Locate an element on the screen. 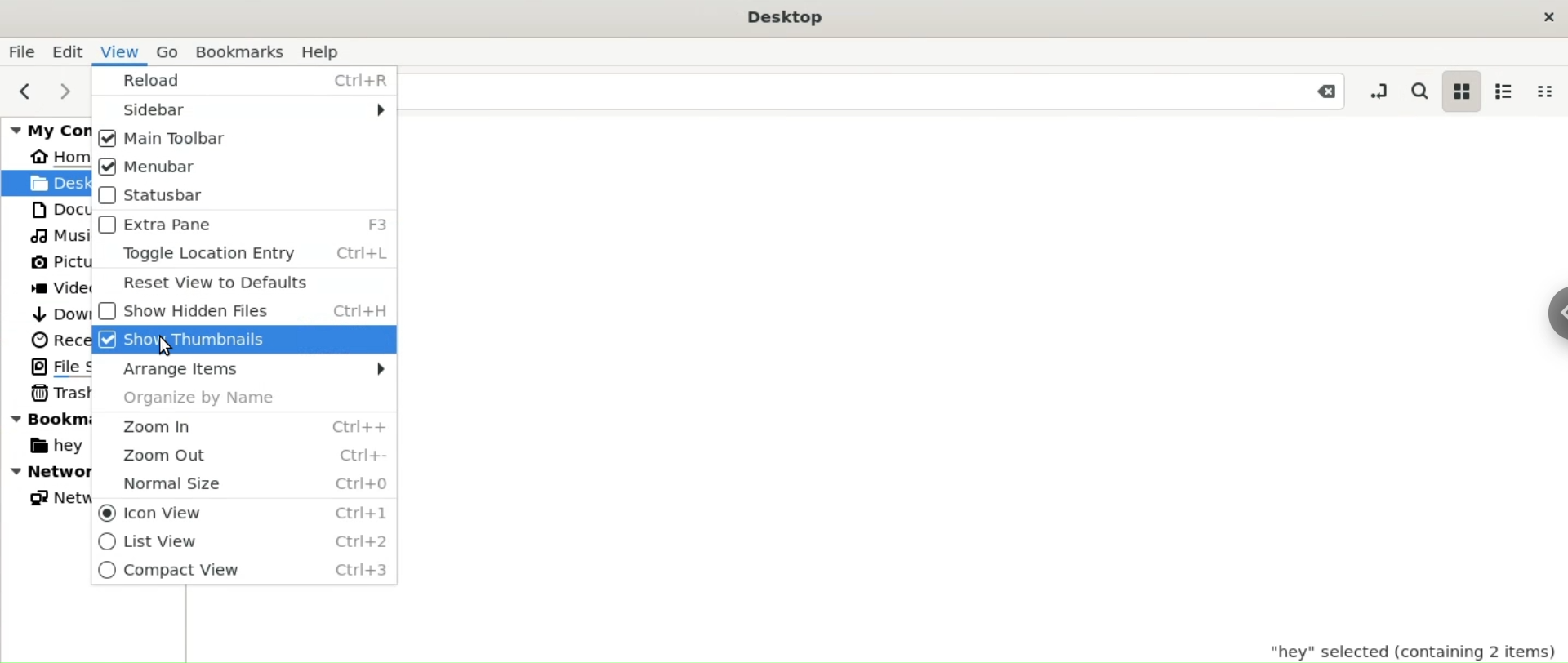  Compact View is located at coordinates (242, 572).